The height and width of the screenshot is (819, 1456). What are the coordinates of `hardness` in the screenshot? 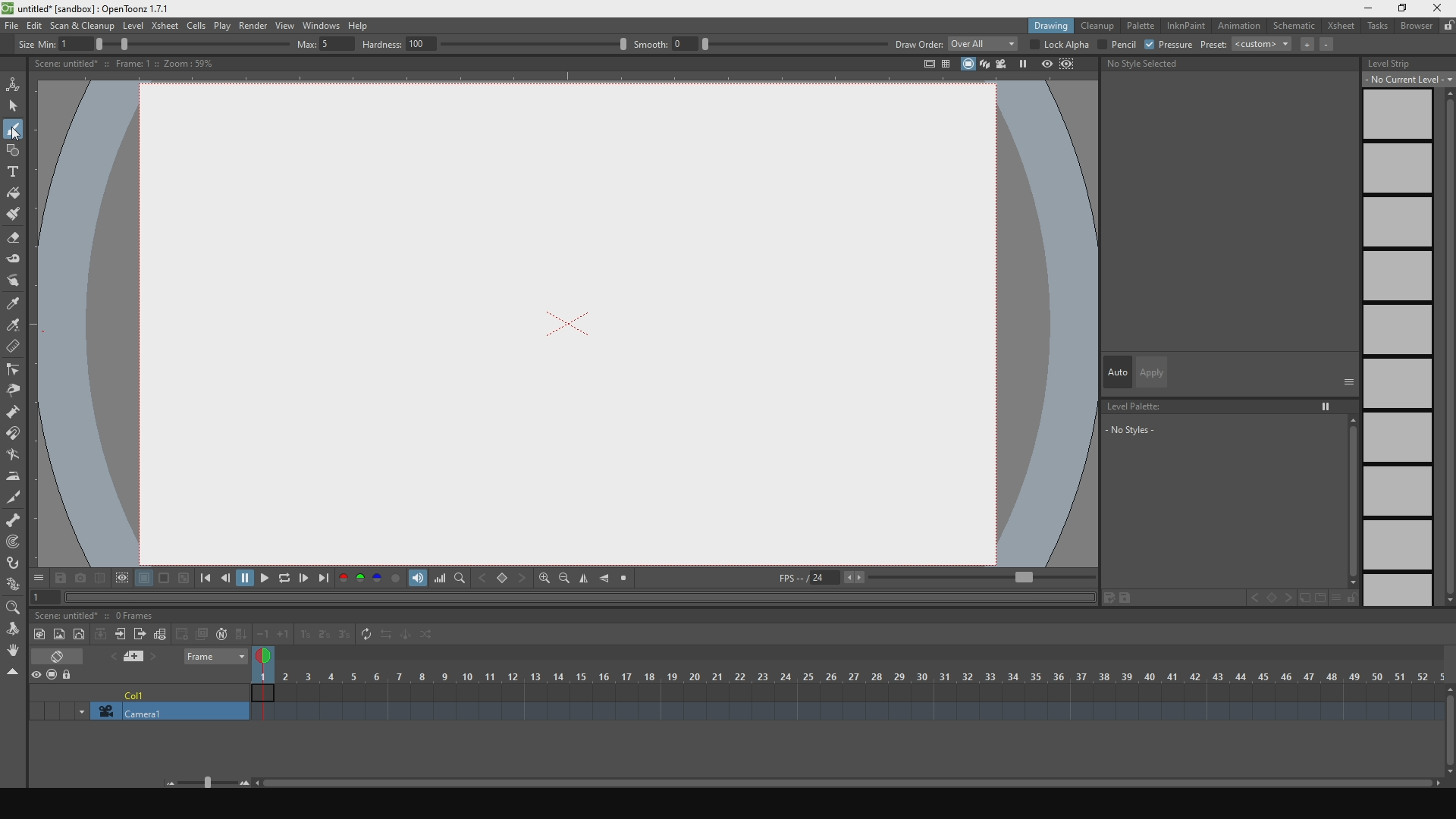 It's located at (491, 44).